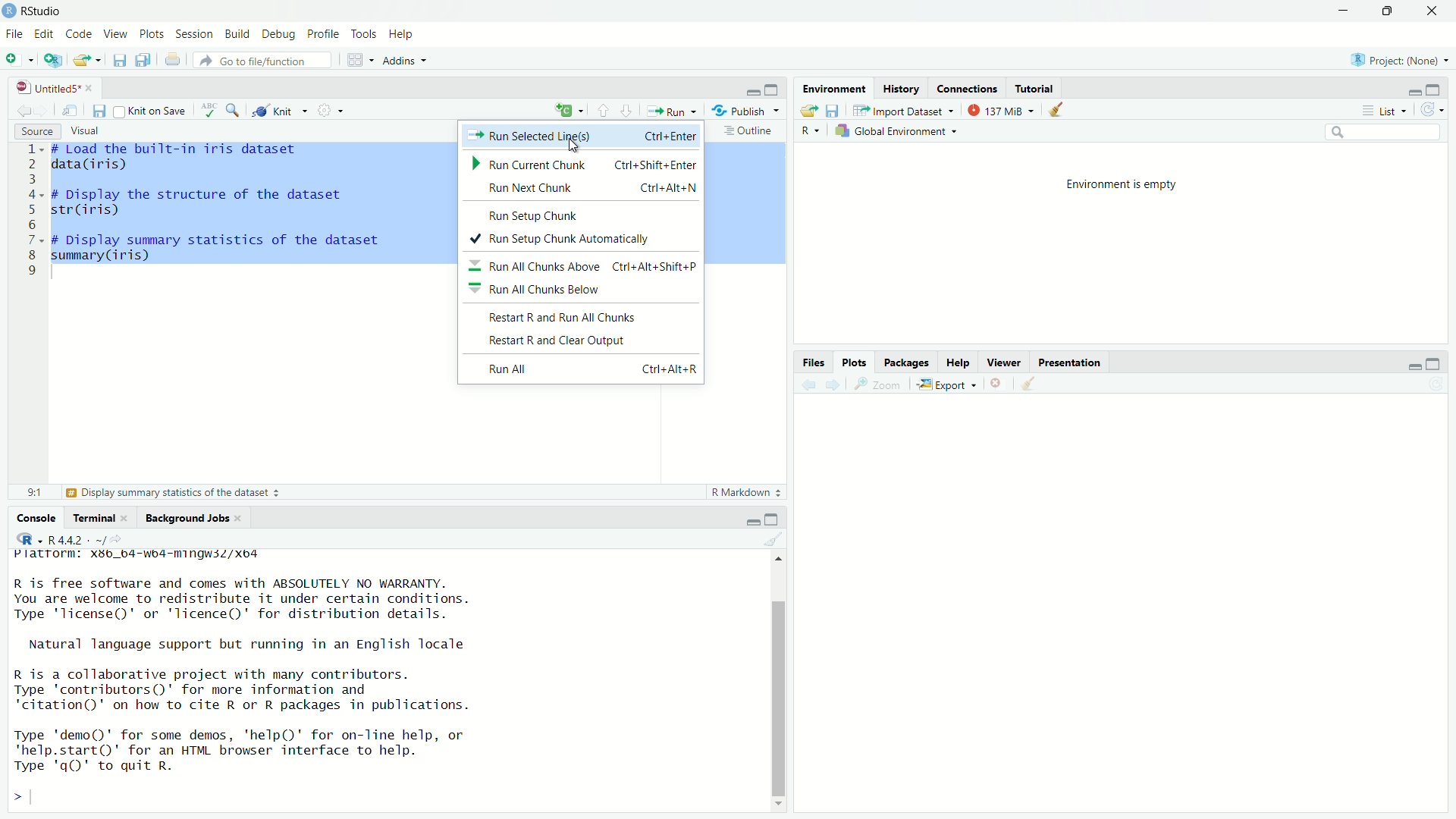  What do you see at coordinates (836, 109) in the screenshot?
I see `Save` at bounding box center [836, 109].